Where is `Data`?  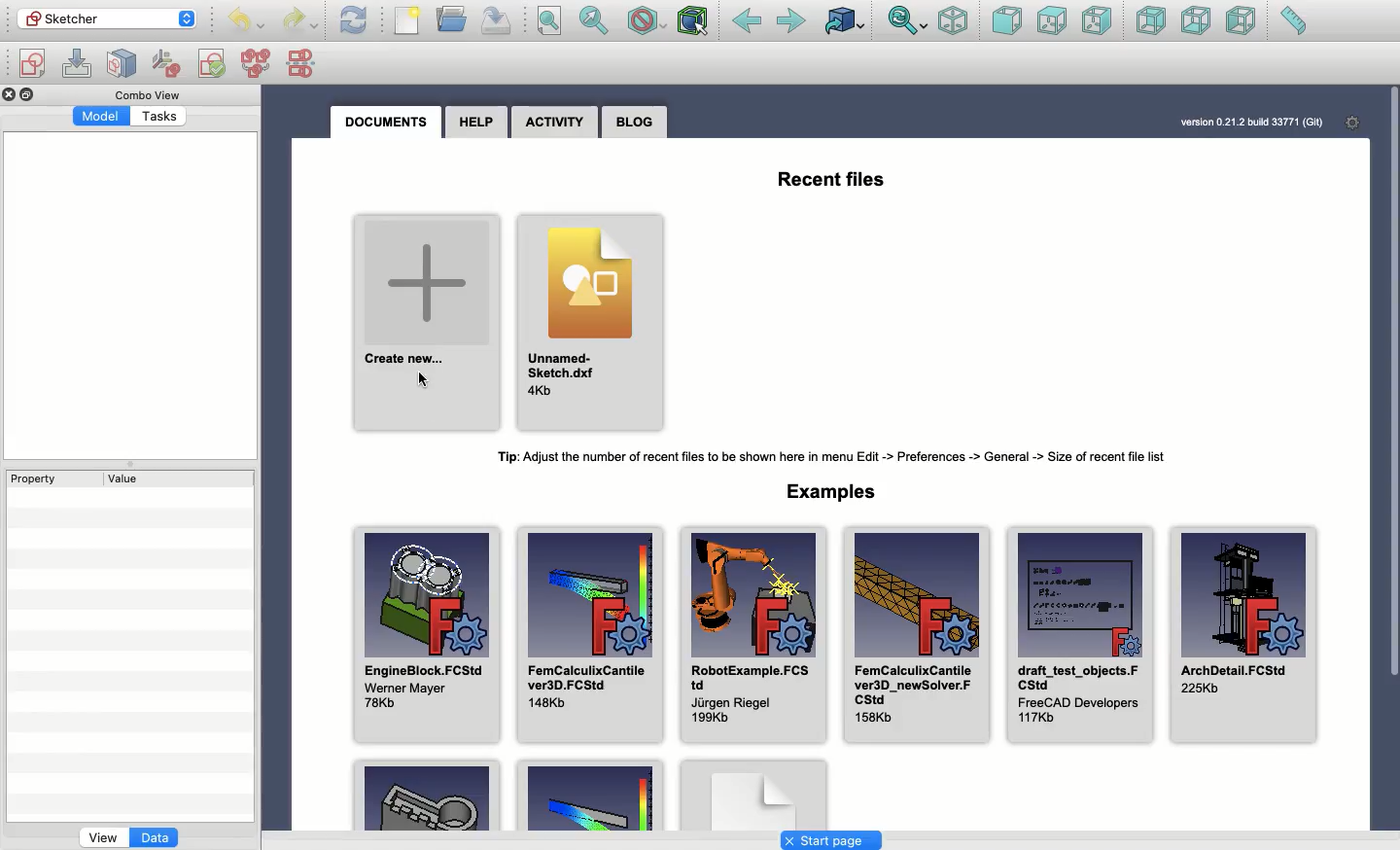 Data is located at coordinates (156, 836).